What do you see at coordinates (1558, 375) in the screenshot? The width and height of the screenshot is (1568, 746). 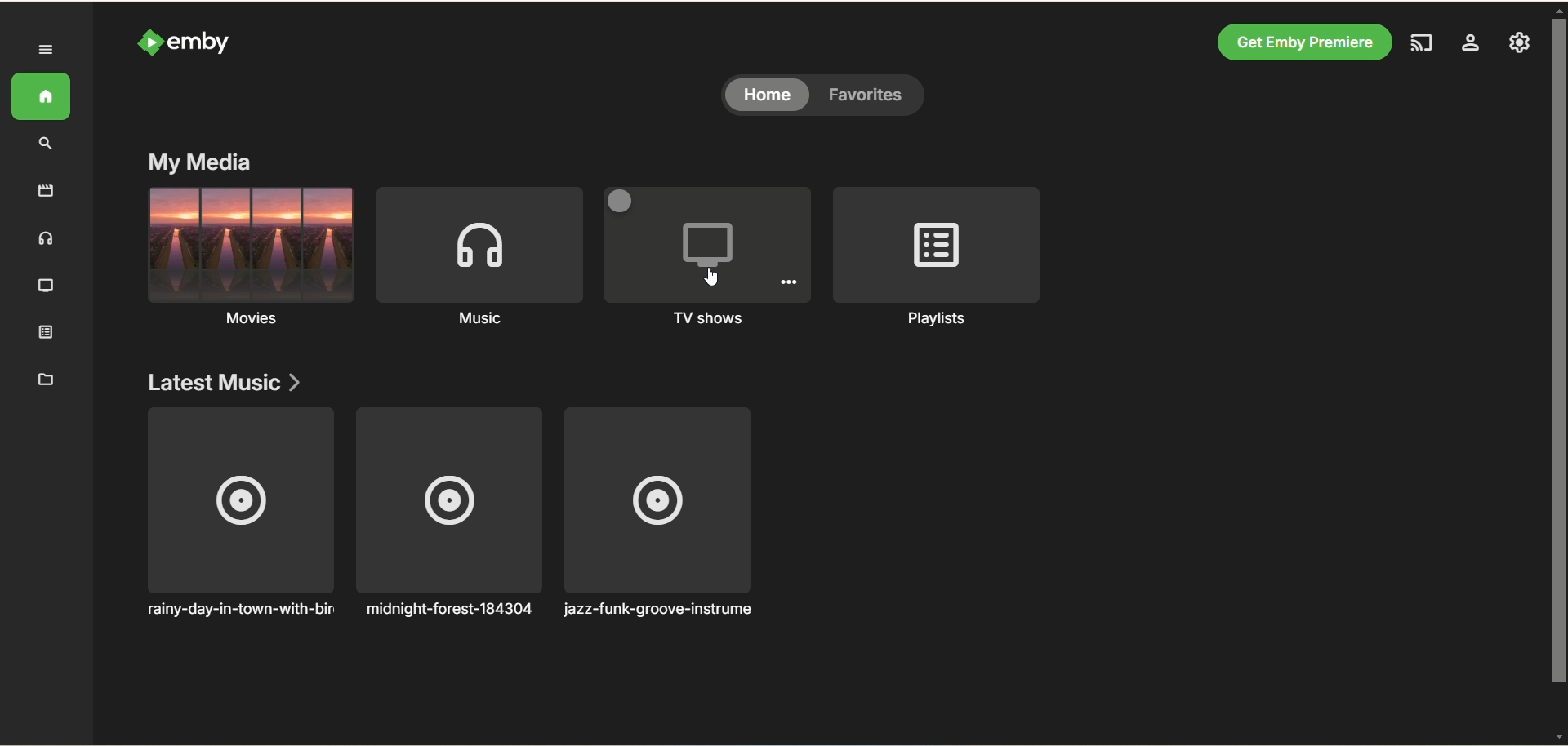 I see `vertical scroll bar` at bounding box center [1558, 375].